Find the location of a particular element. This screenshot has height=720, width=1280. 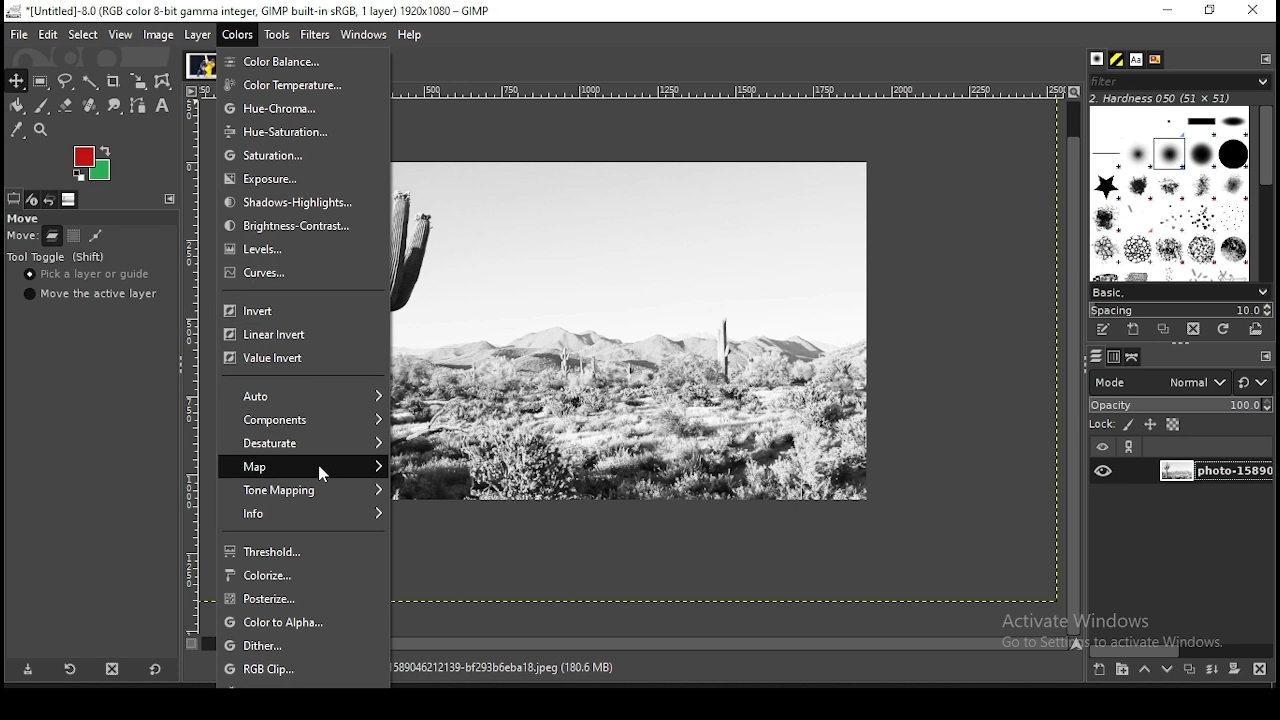

fuzzy selection tool is located at coordinates (92, 81).